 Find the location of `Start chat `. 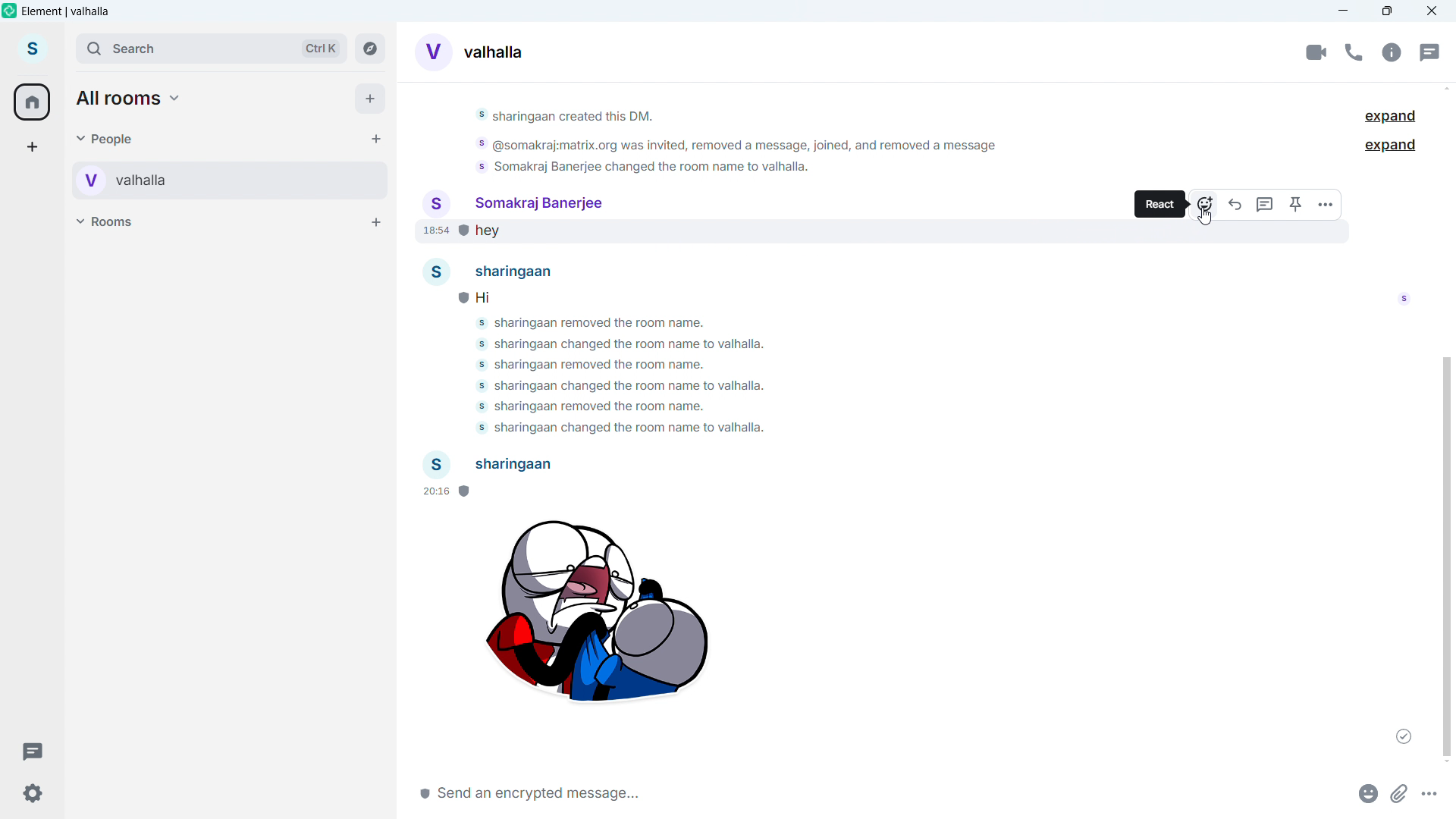

Start chat  is located at coordinates (374, 138).